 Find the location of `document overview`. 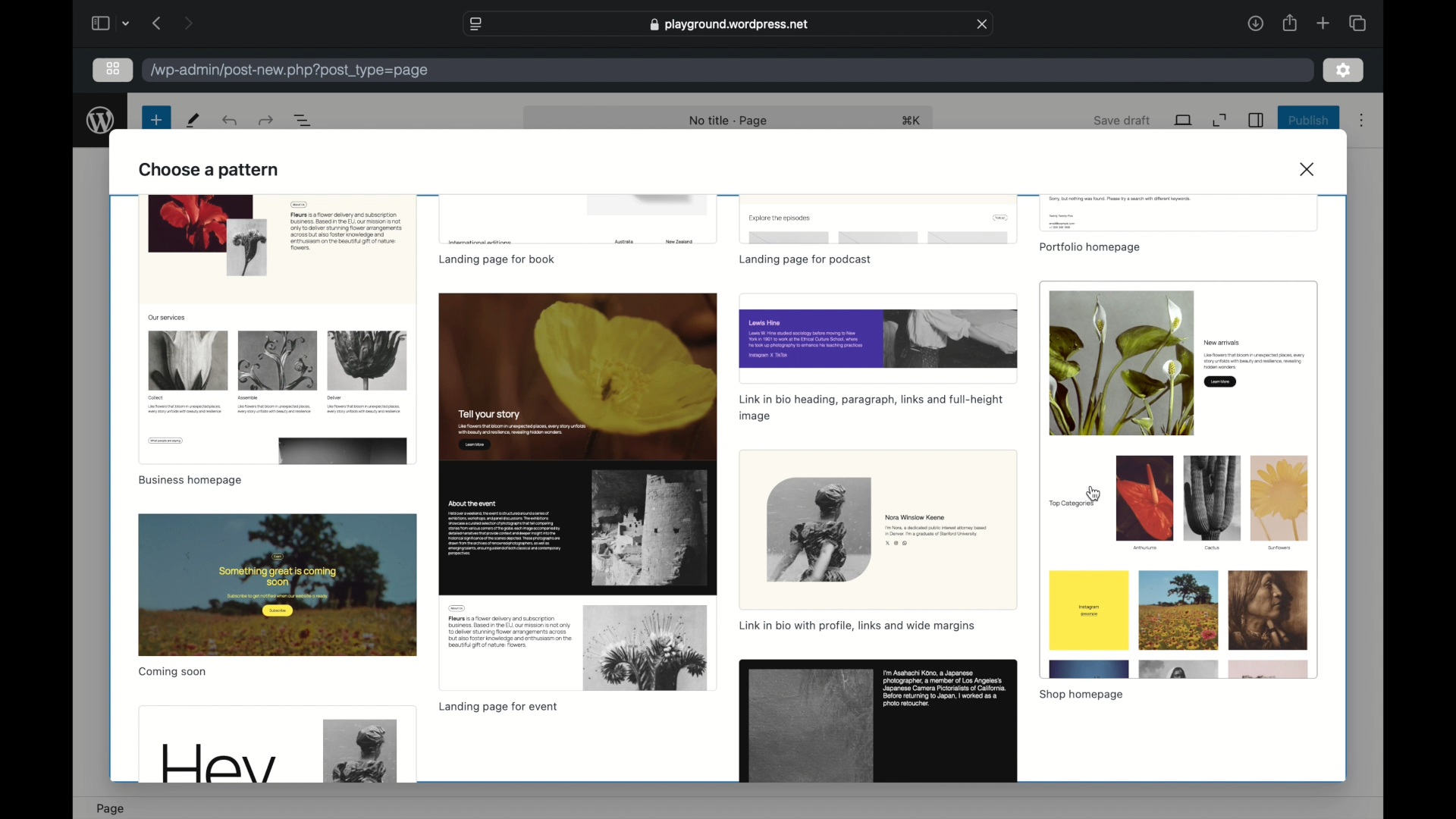

document overview is located at coordinates (304, 119).